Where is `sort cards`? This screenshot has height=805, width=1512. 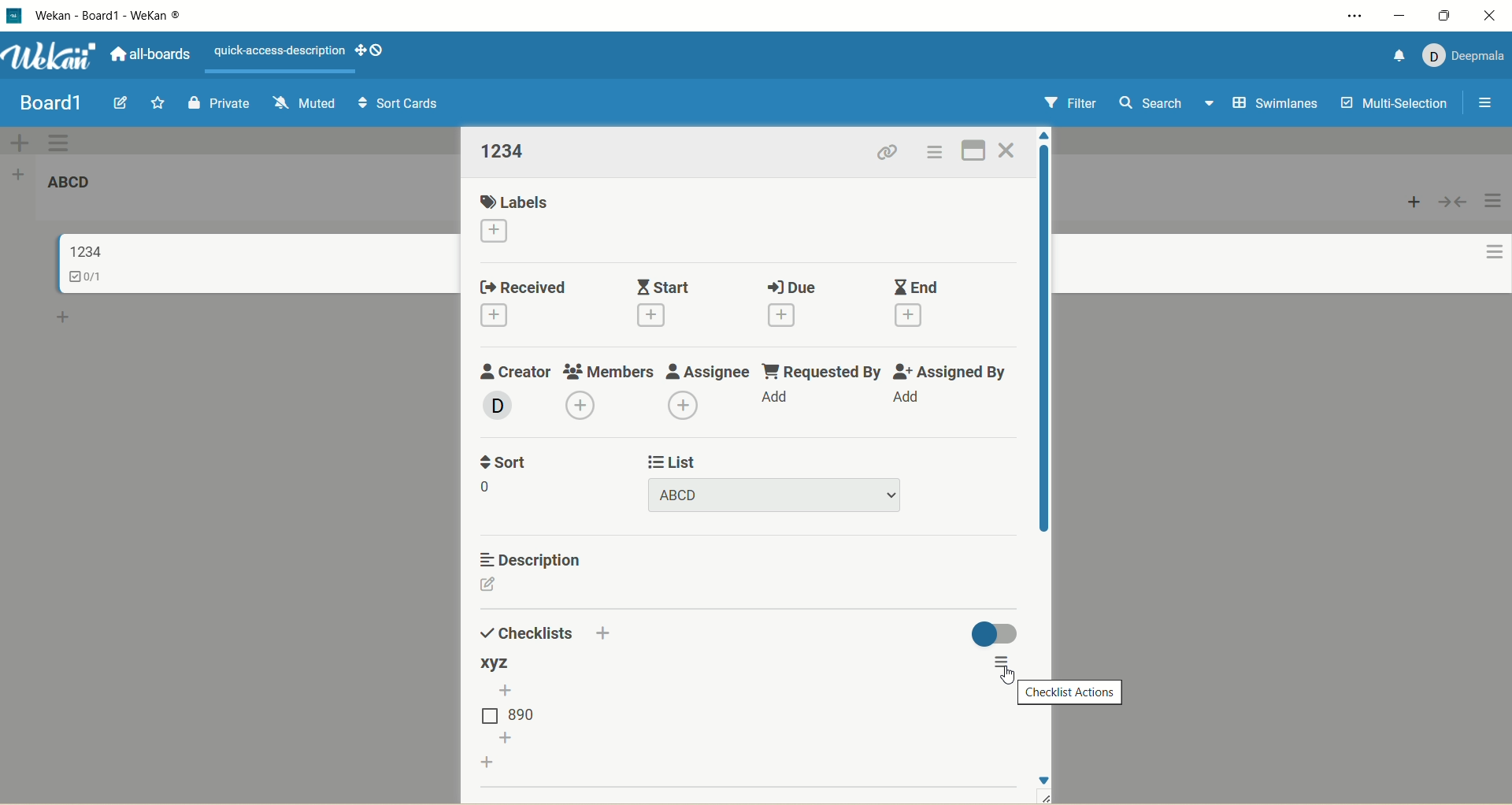 sort cards is located at coordinates (396, 104).